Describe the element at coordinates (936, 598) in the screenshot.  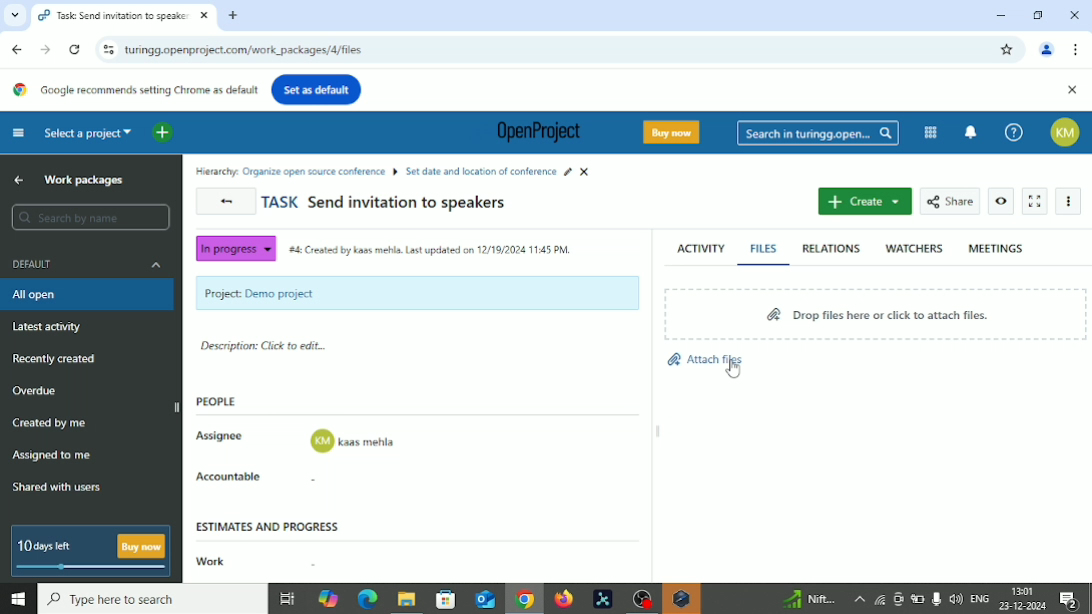
I see `Mic` at that location.